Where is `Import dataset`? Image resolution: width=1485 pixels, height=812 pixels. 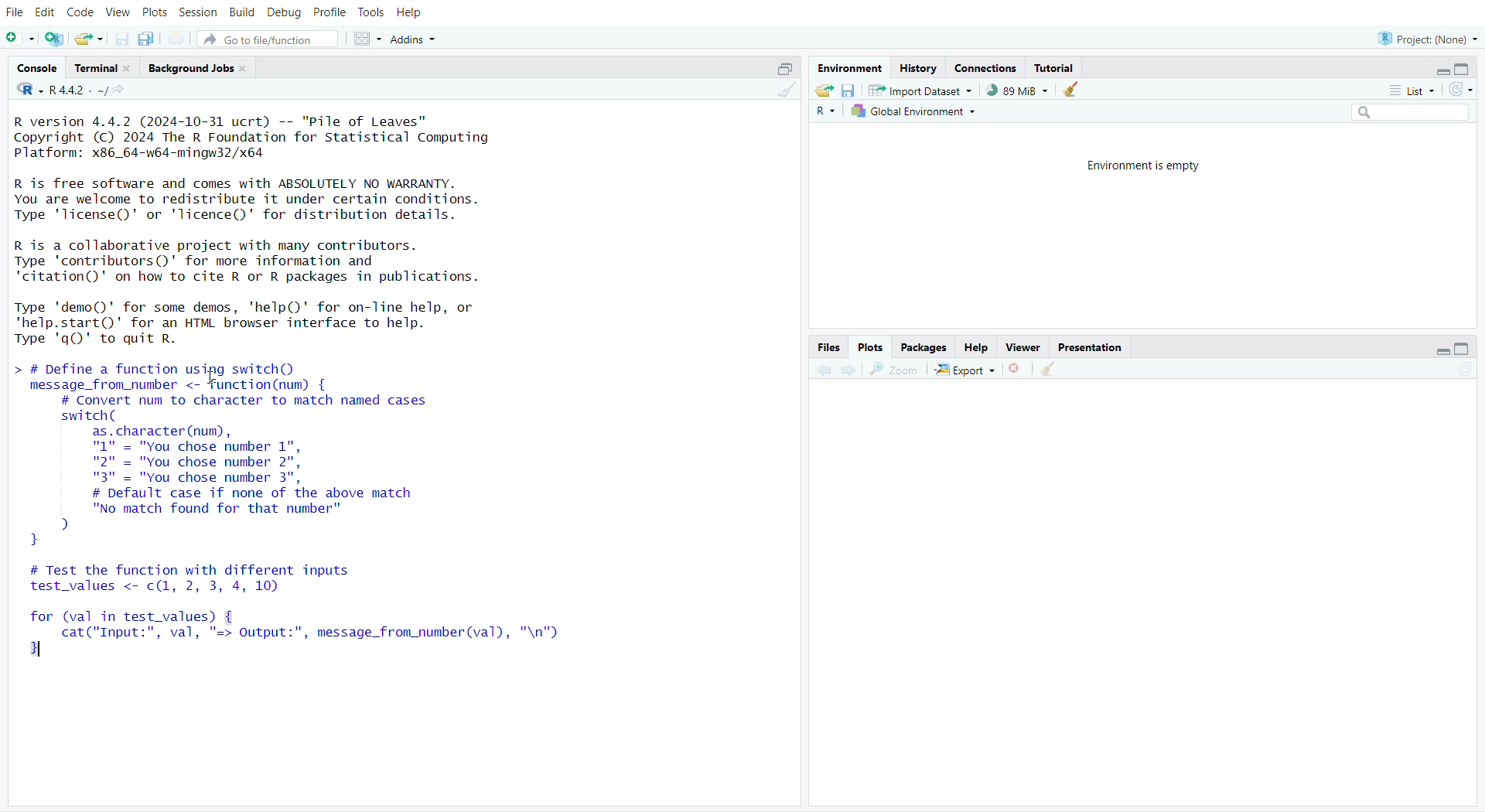
Import dataset is located at coordinates (921, 92).